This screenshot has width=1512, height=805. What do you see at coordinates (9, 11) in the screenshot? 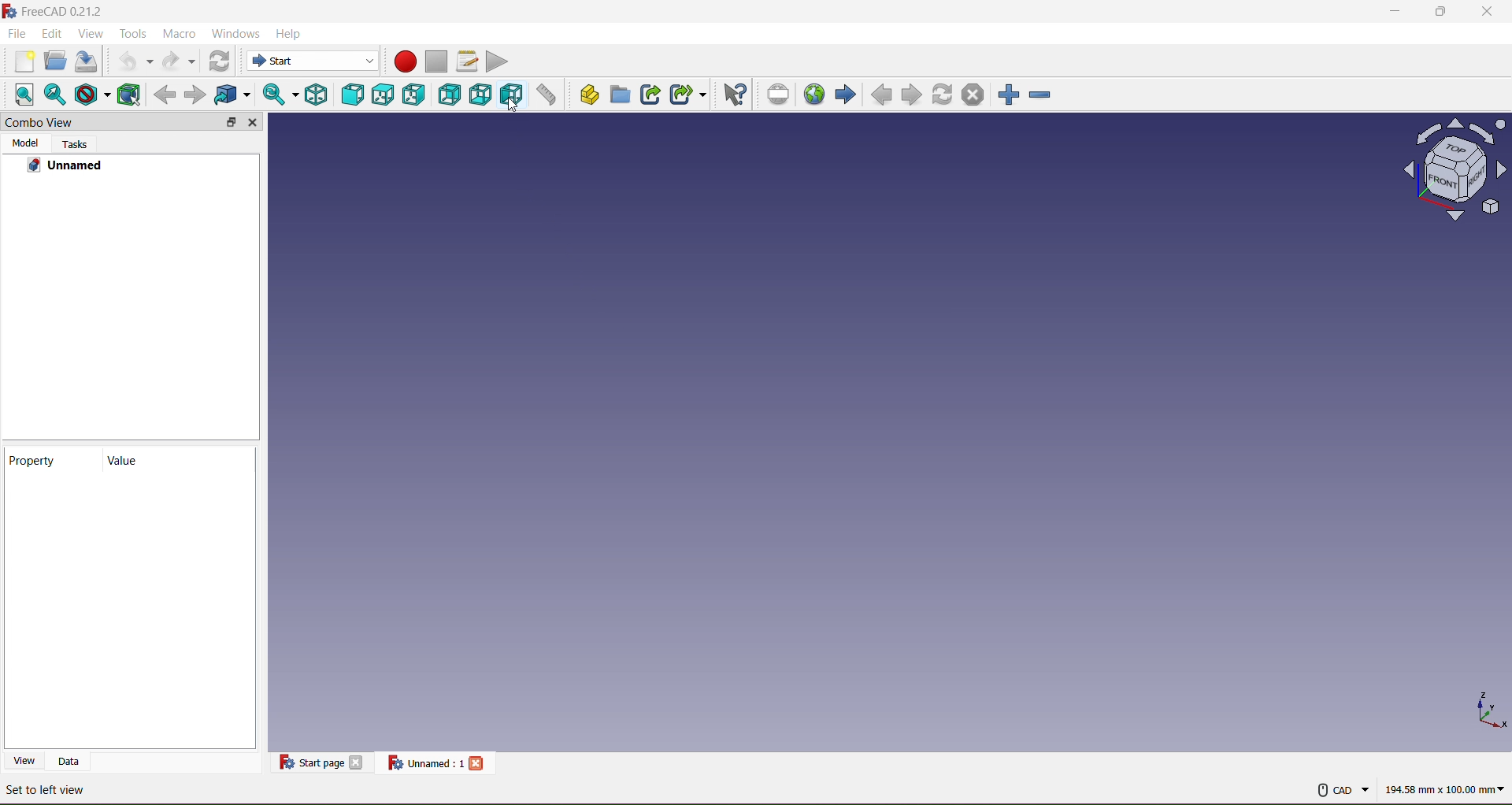
I see `Logo` at bounding box center [9, 11].